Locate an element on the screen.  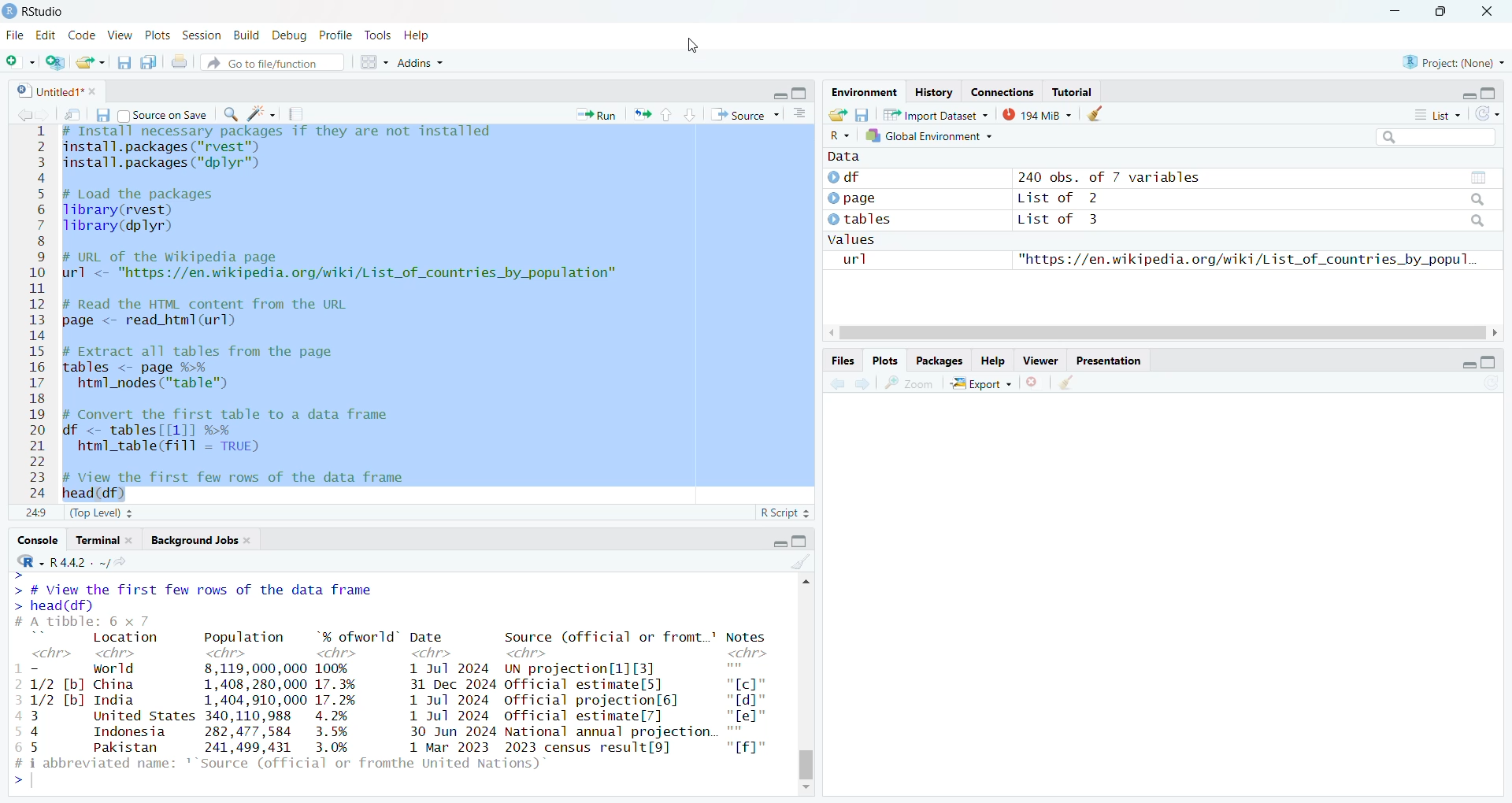
compile report is located at coordinates (295, 113).